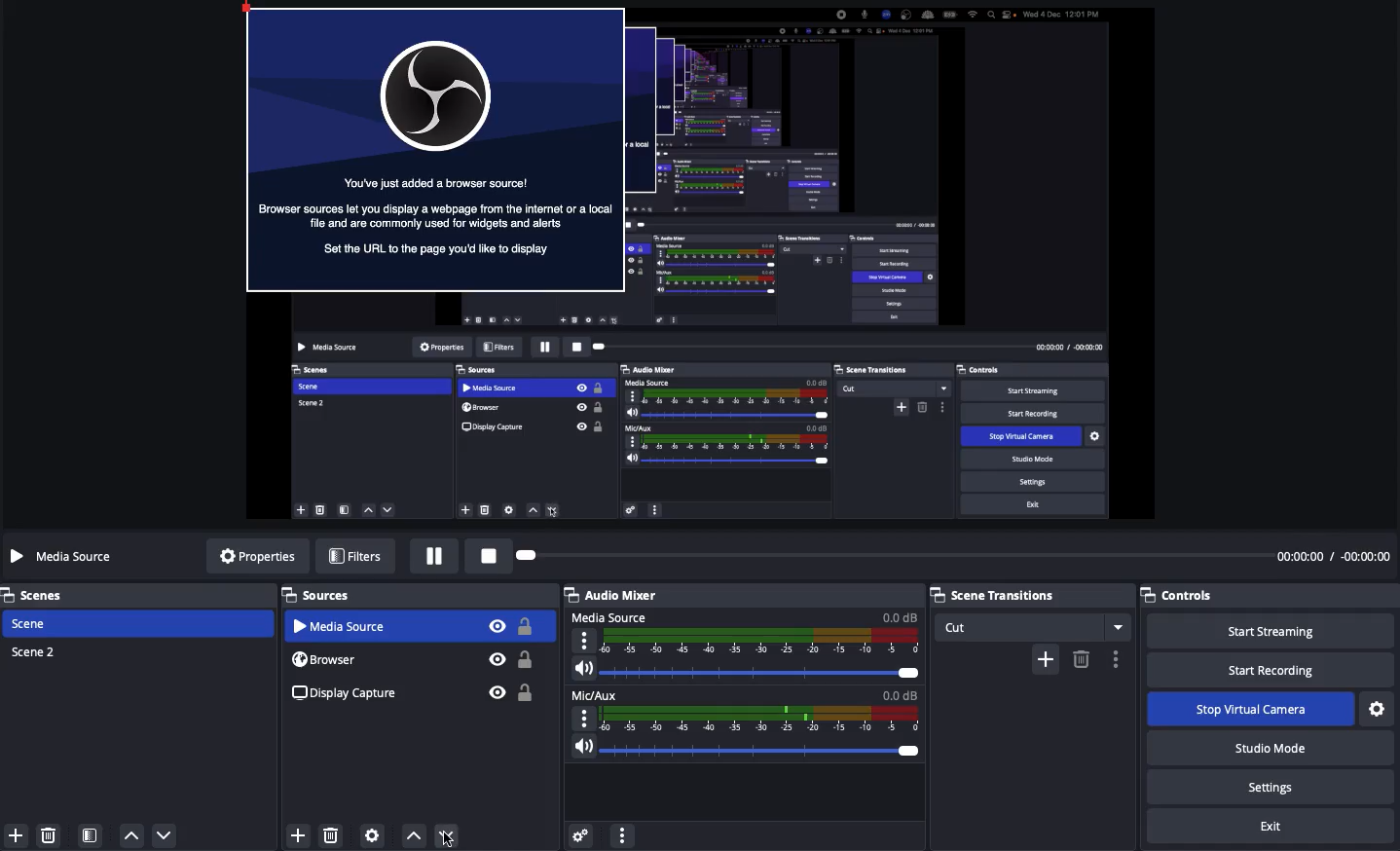 The width and height of the screenshot is (1400, 851). I want to click on Add, so click(1046, 660).